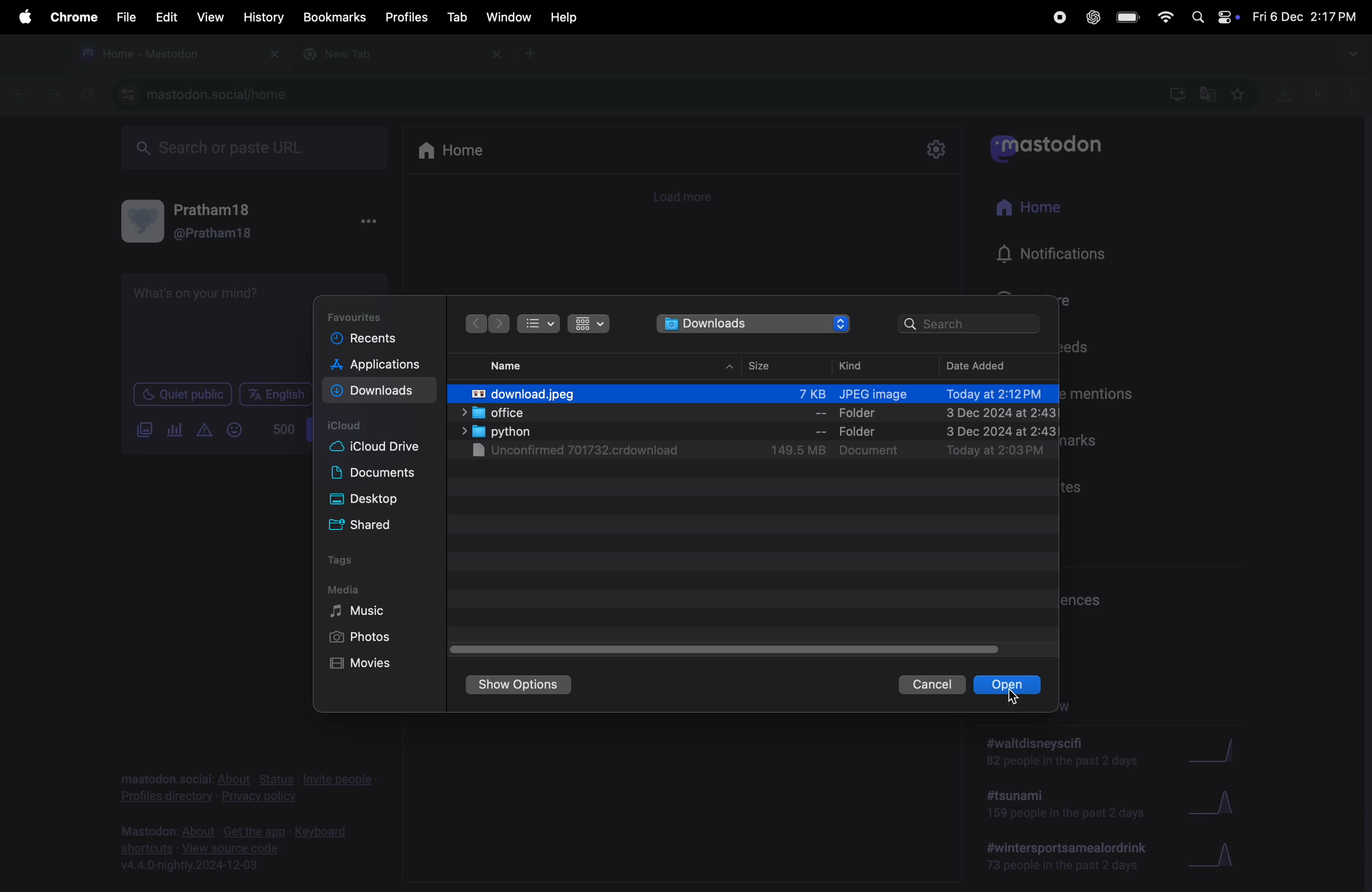 Image resolution: width=1372 pixels, height=892 pixels. What do you see at coordinates (369, 500) in the screenshot?
I see `desktop` at bounding box center [369, 500].